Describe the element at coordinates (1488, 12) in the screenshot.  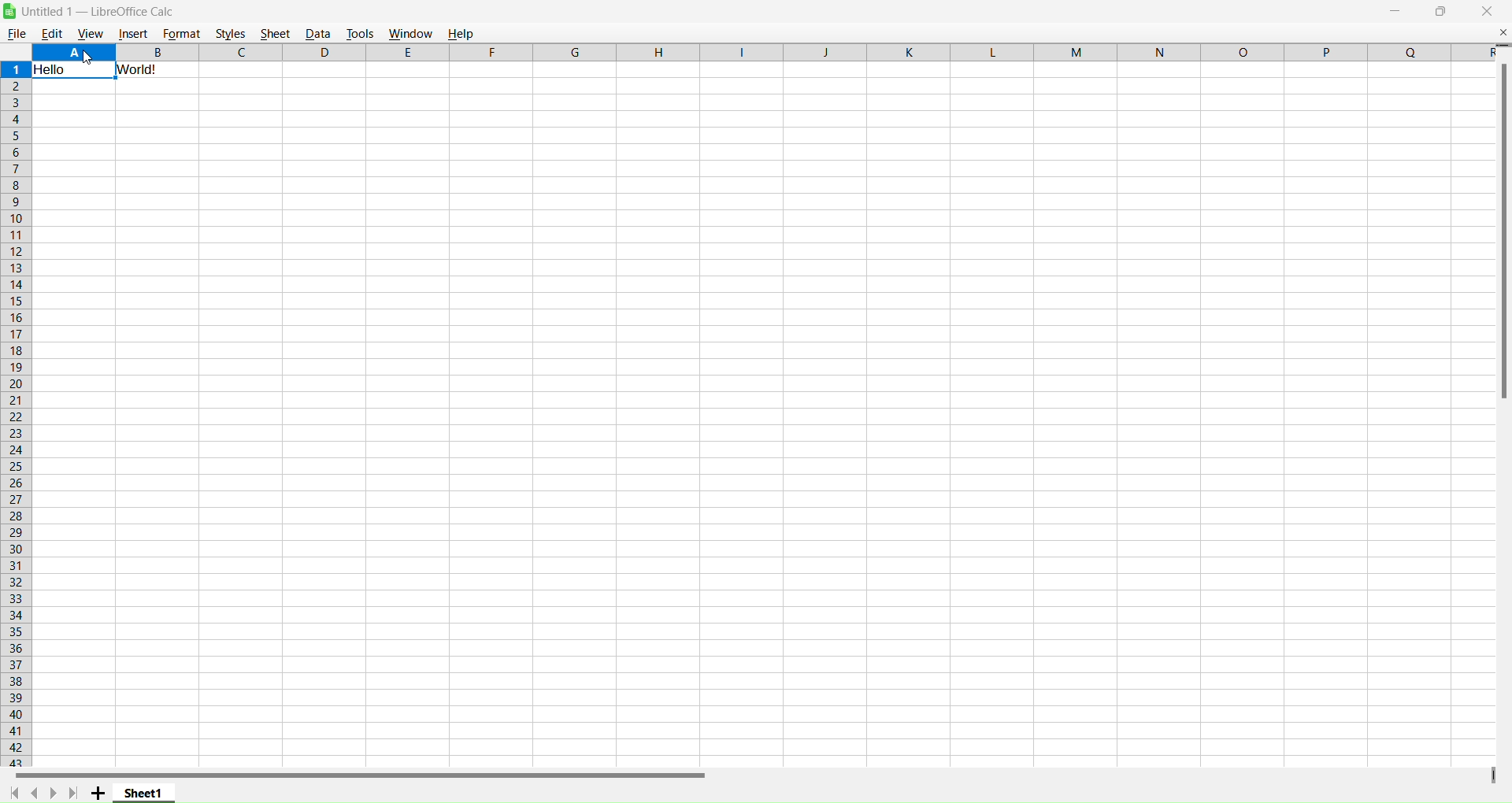
I see `Close` at that location.